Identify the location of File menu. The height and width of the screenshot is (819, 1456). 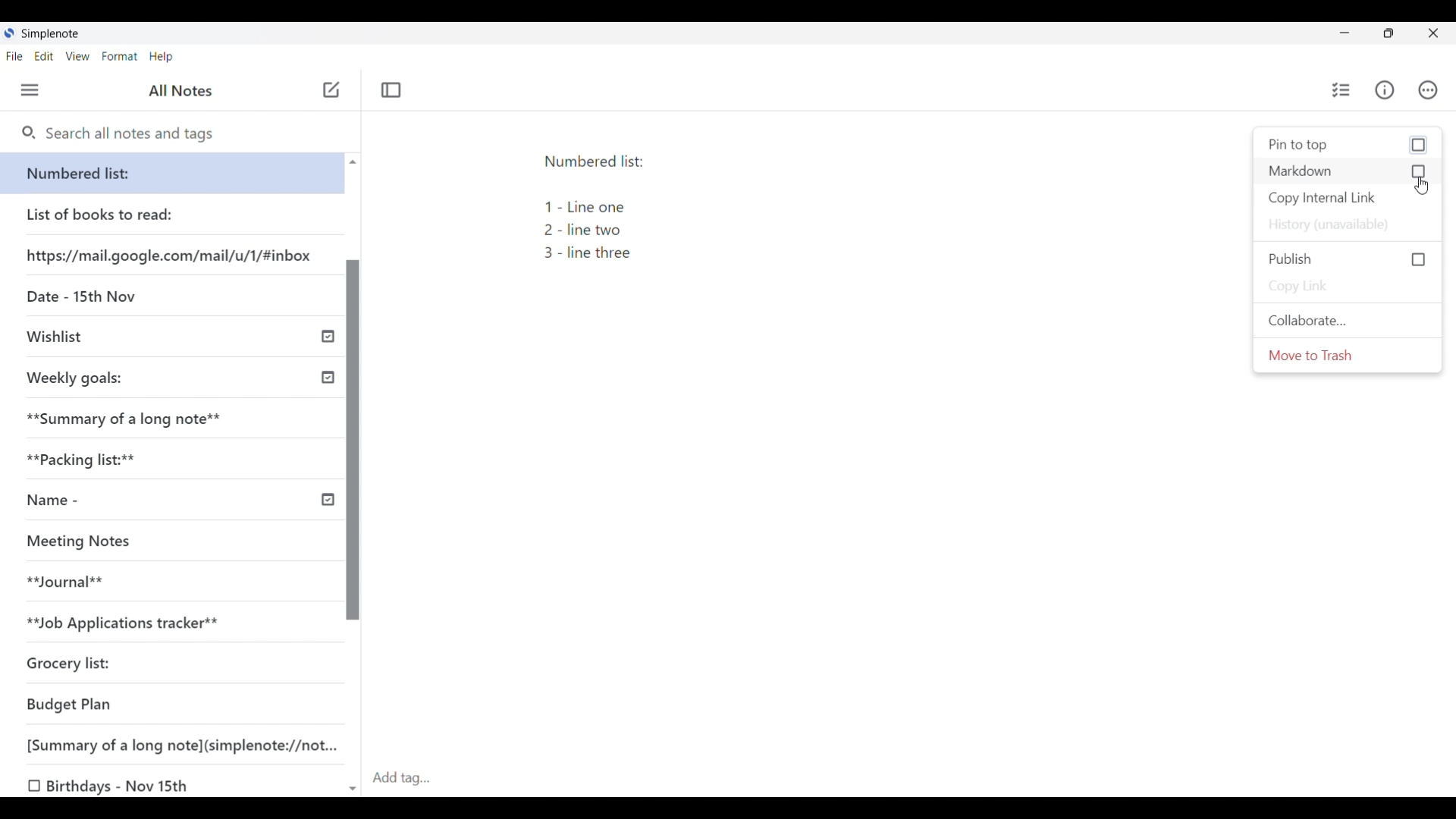
(14, 56).